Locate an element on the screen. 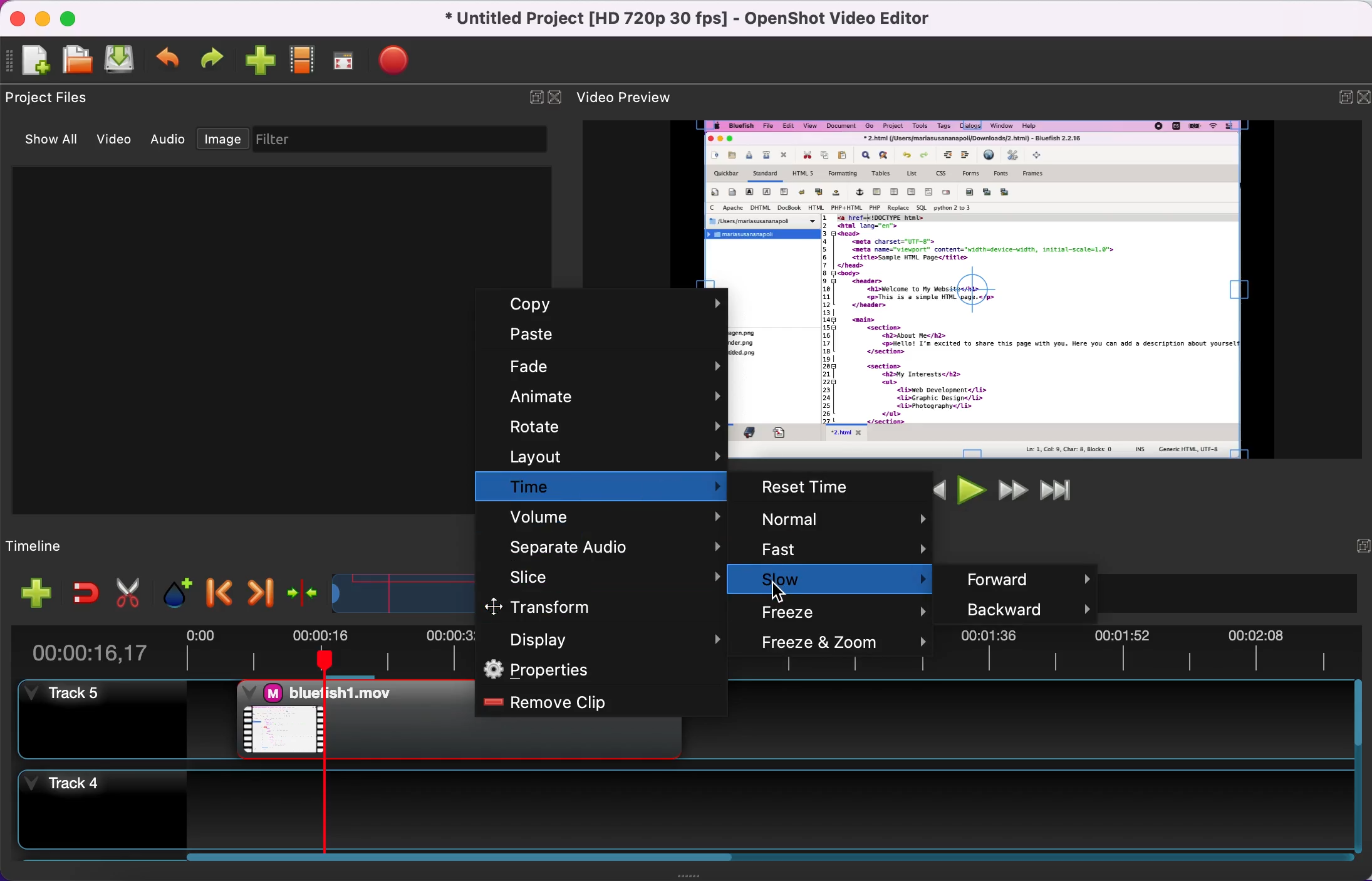 Image resolution: width=1372 pixels, height=881 pixels. video preview is located at coordinates (637, 95).